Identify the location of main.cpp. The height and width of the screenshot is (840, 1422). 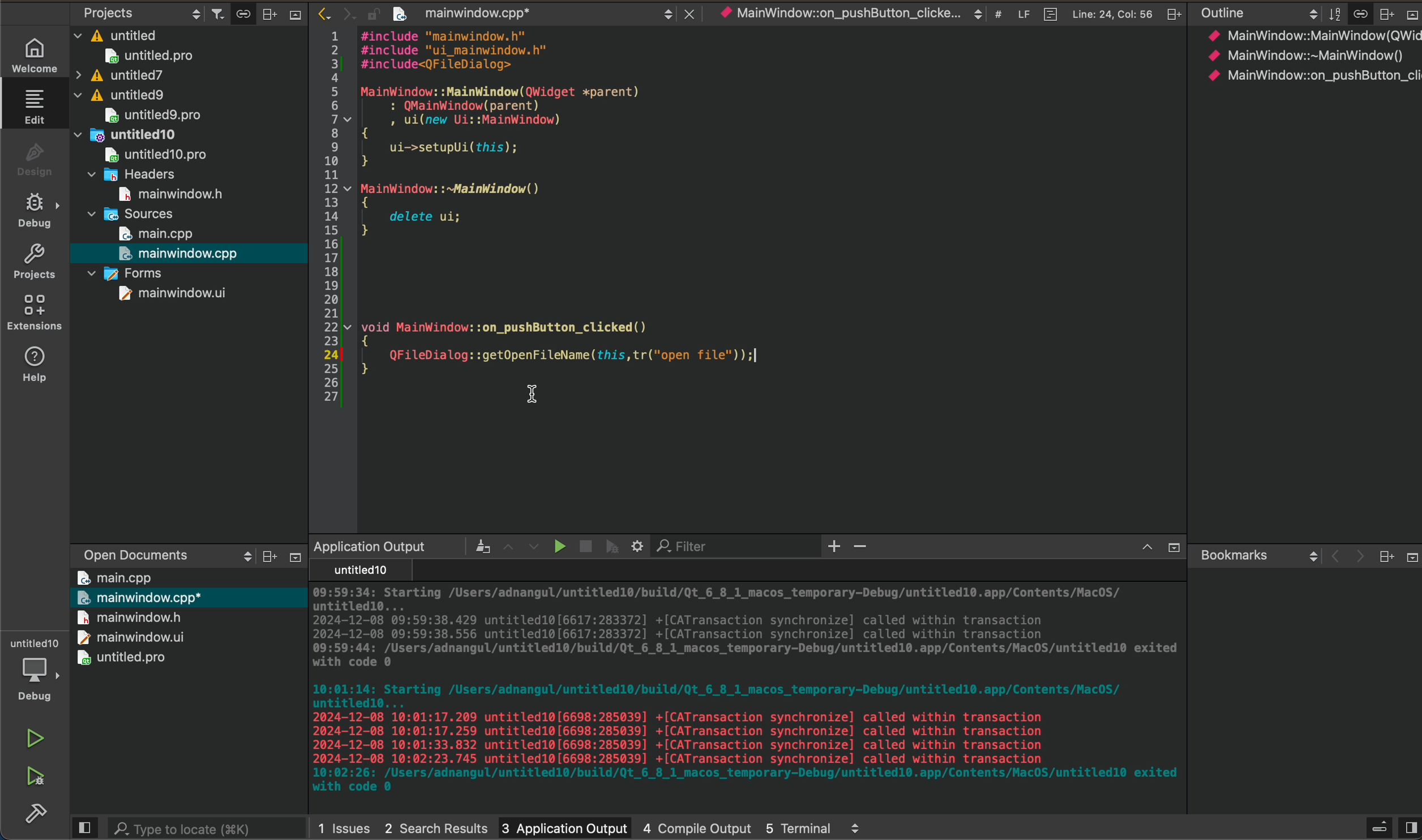
(157, 234).